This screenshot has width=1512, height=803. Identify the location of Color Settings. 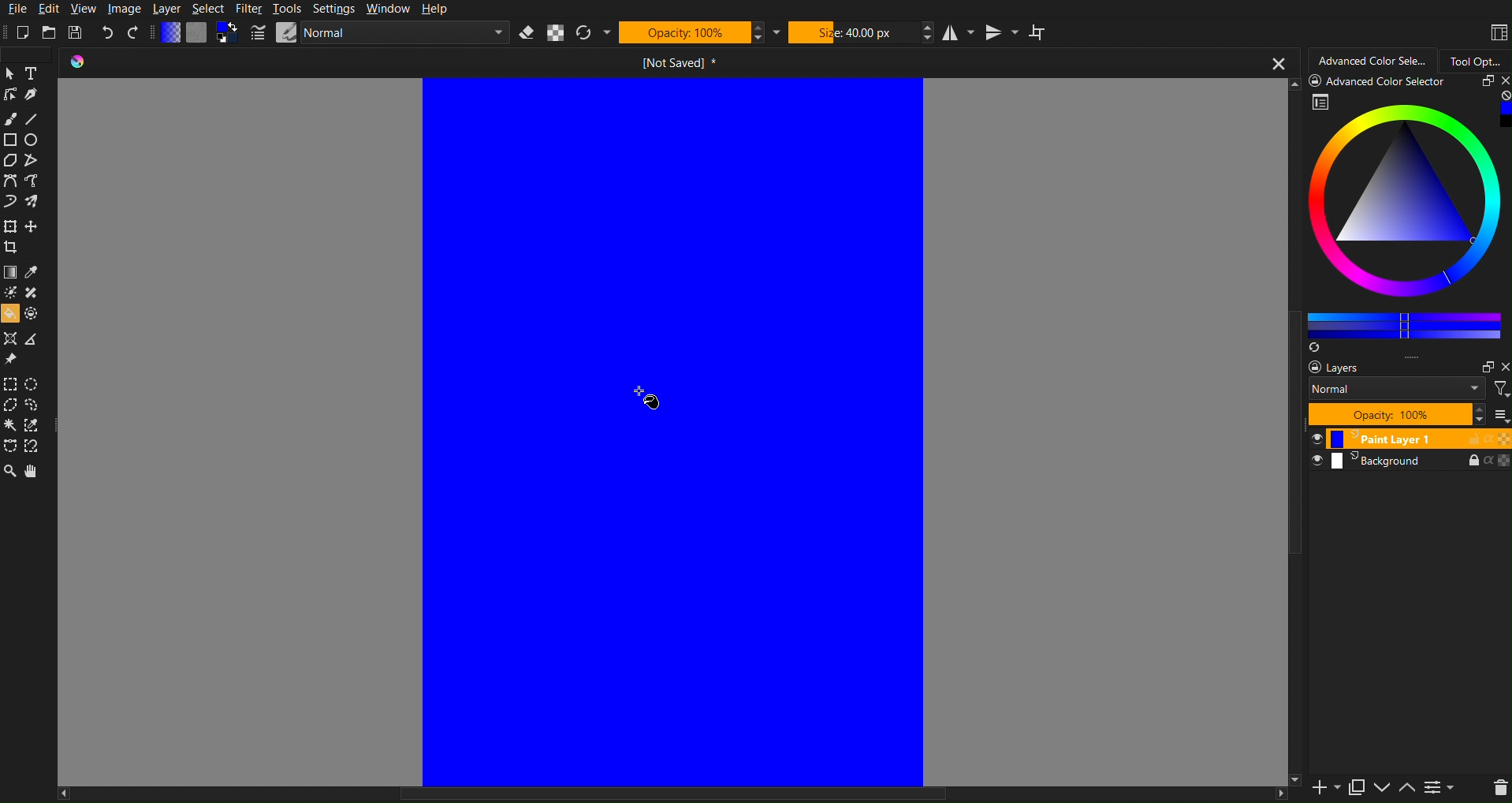
(200, 33).